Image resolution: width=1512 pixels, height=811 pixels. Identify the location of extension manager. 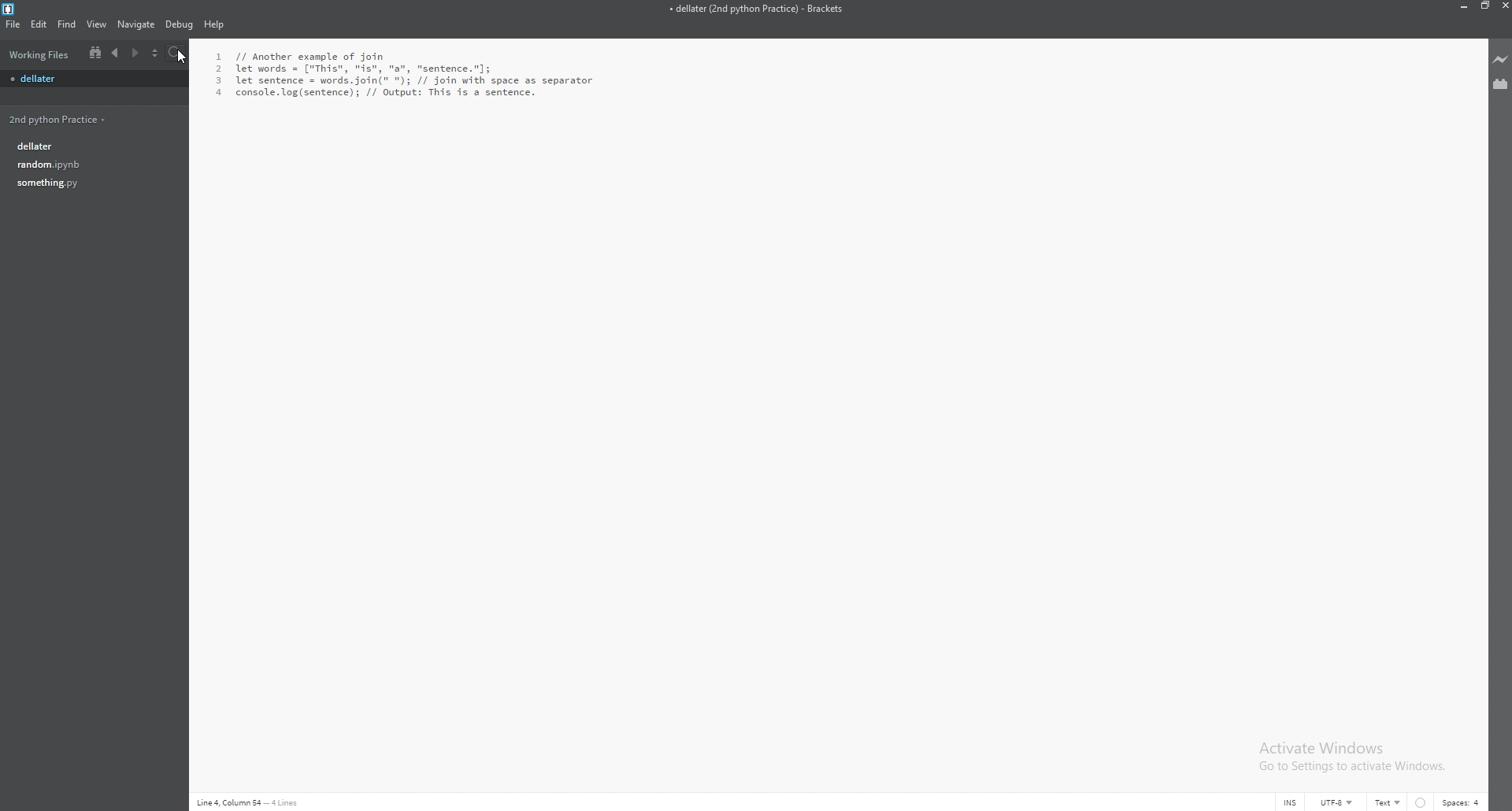
(1502, 84).